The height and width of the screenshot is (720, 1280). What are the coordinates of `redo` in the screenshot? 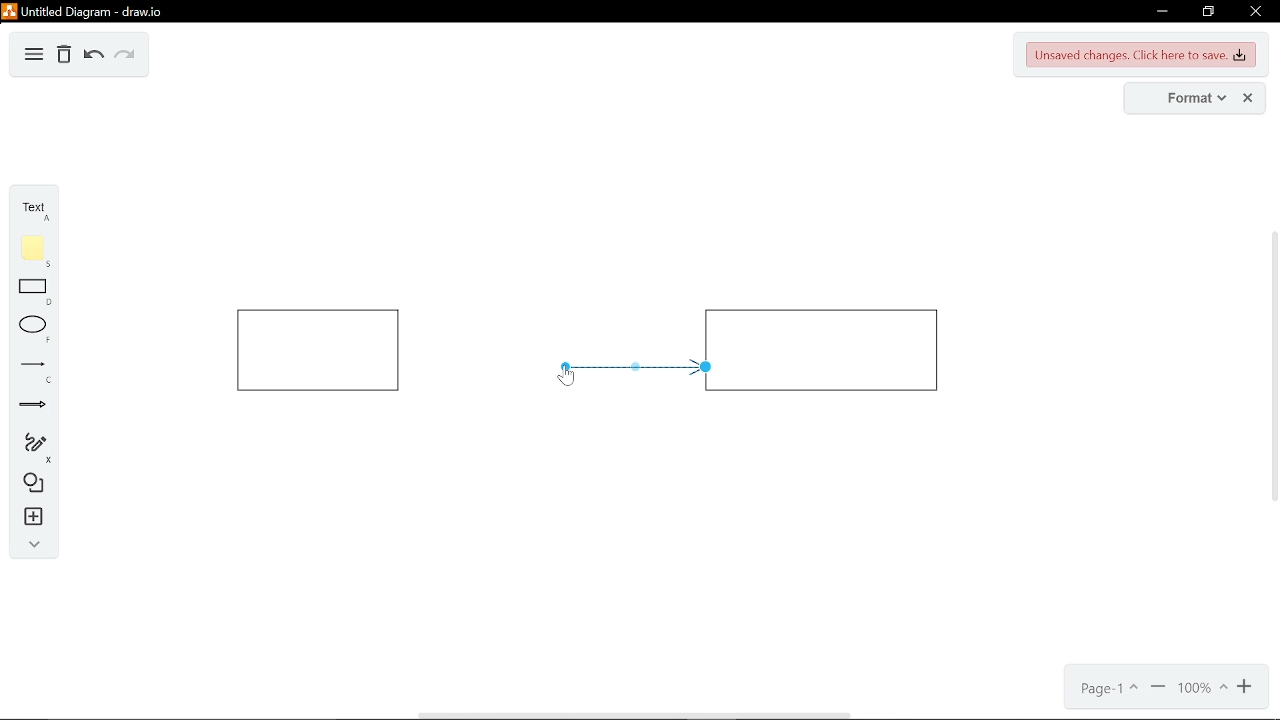 It's located at (125, 56).